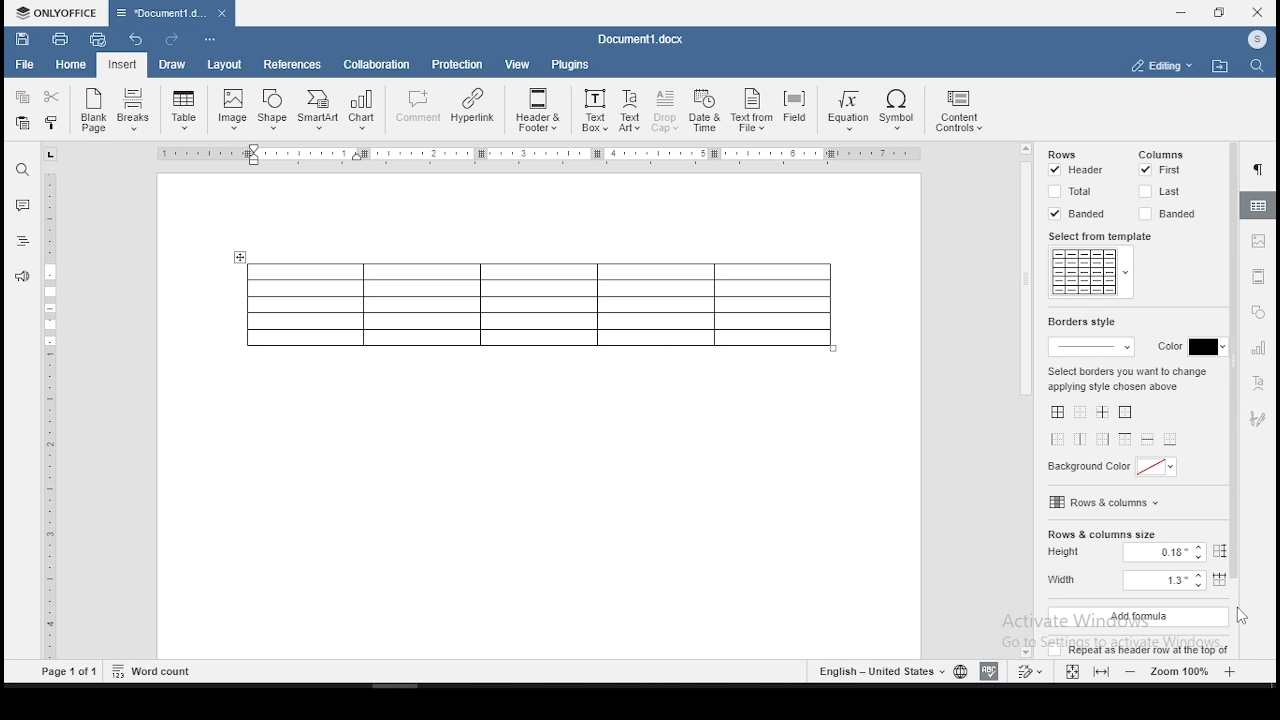 The height and width of the screenshot is (720, 1280). Describe the element at coordinates (1032, 670) in the screenshot. I see `track changes` at that location.